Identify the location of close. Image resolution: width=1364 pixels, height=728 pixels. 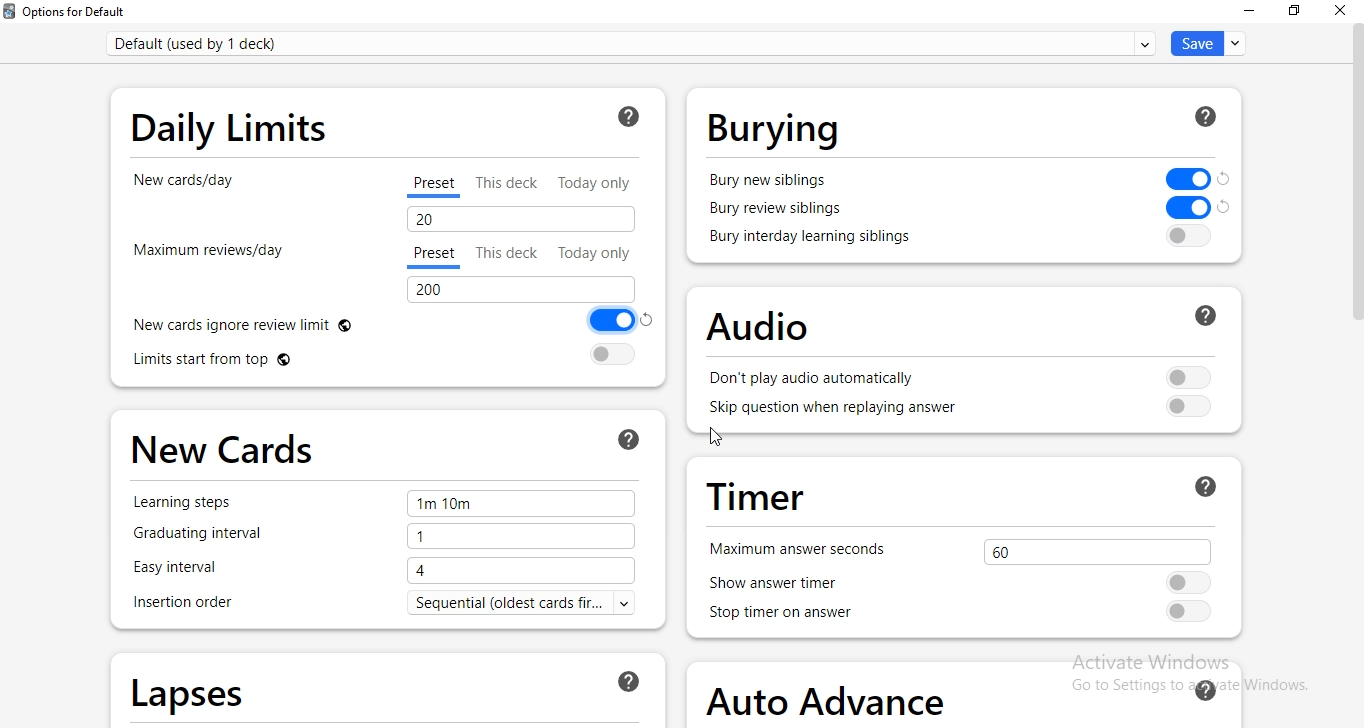
(1344, 14).